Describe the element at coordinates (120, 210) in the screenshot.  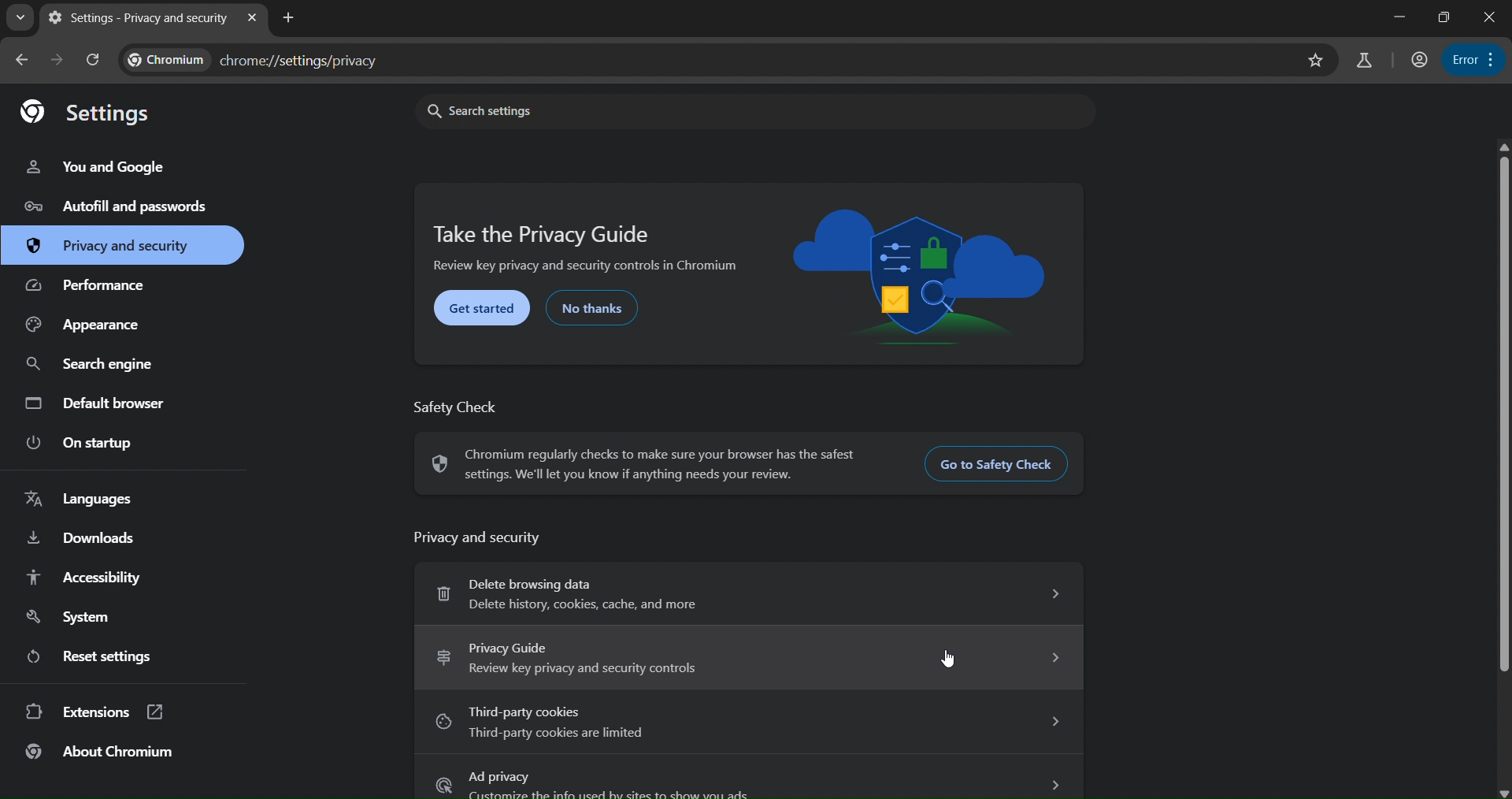
I see `autofill and passwords` at that location.